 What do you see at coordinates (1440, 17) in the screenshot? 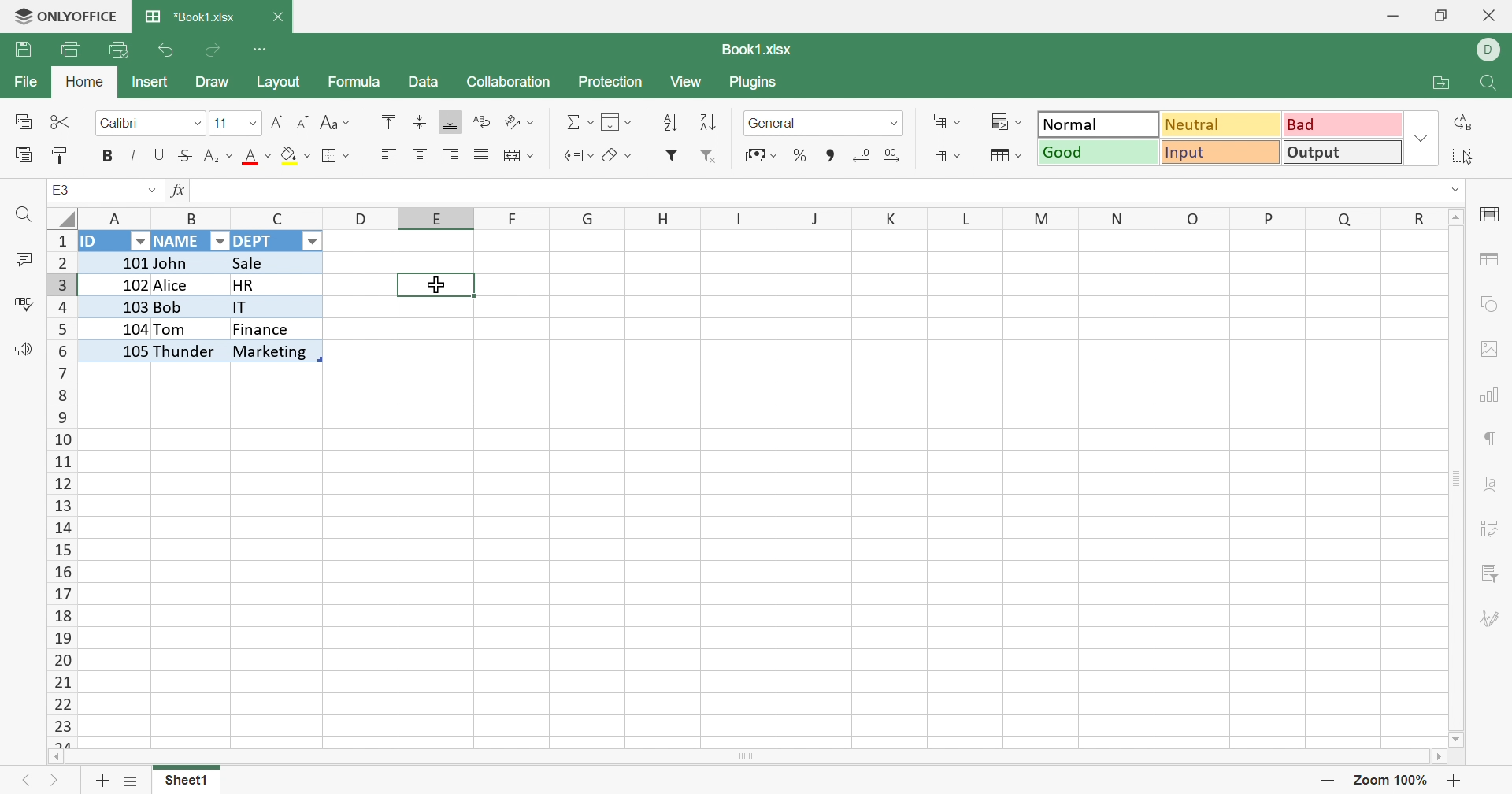
I see `Restore Down` at bounding box center [1440, 17].